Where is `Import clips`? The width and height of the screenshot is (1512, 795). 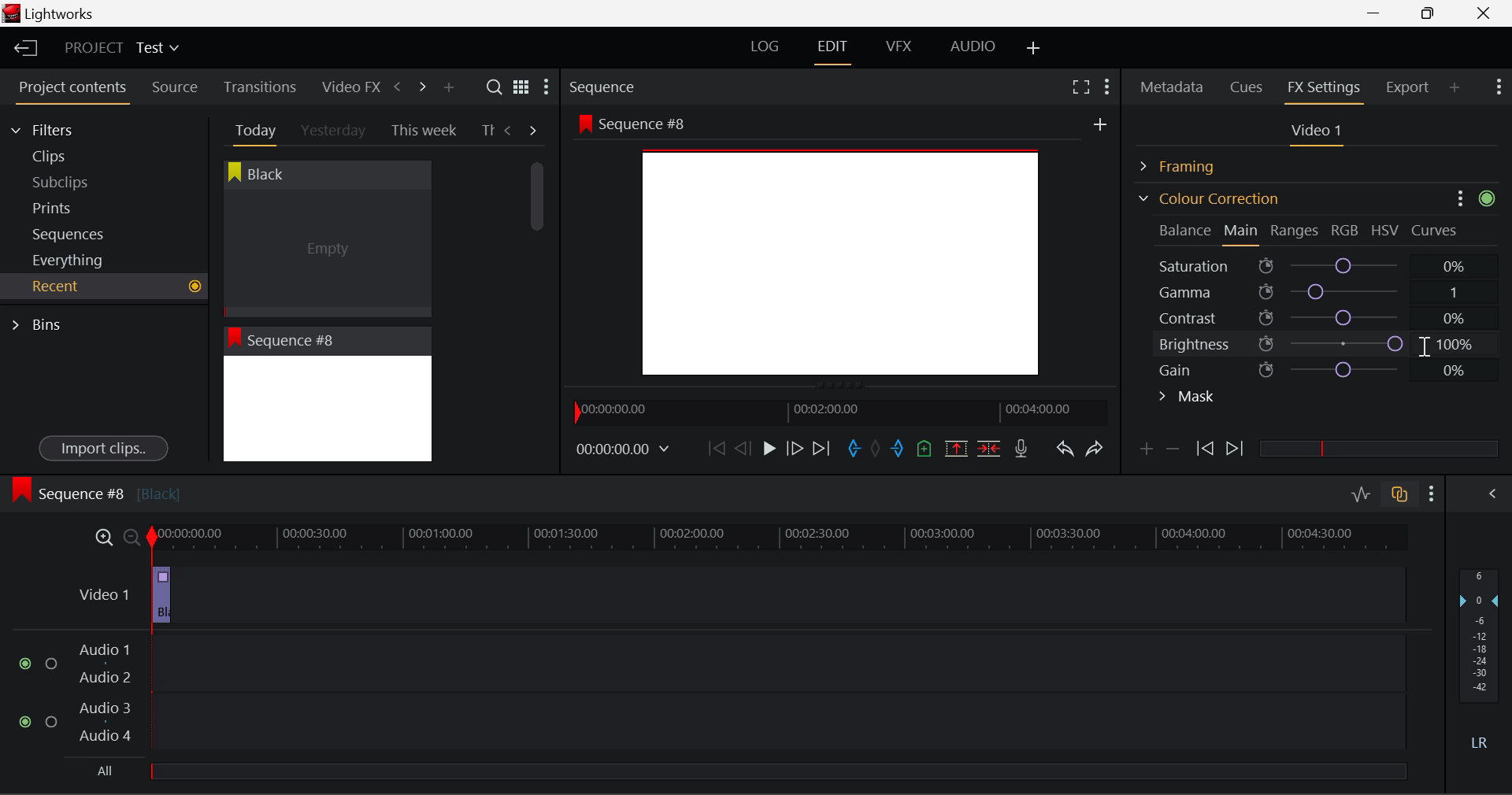 Import clips is located at coordinates (103, 449).